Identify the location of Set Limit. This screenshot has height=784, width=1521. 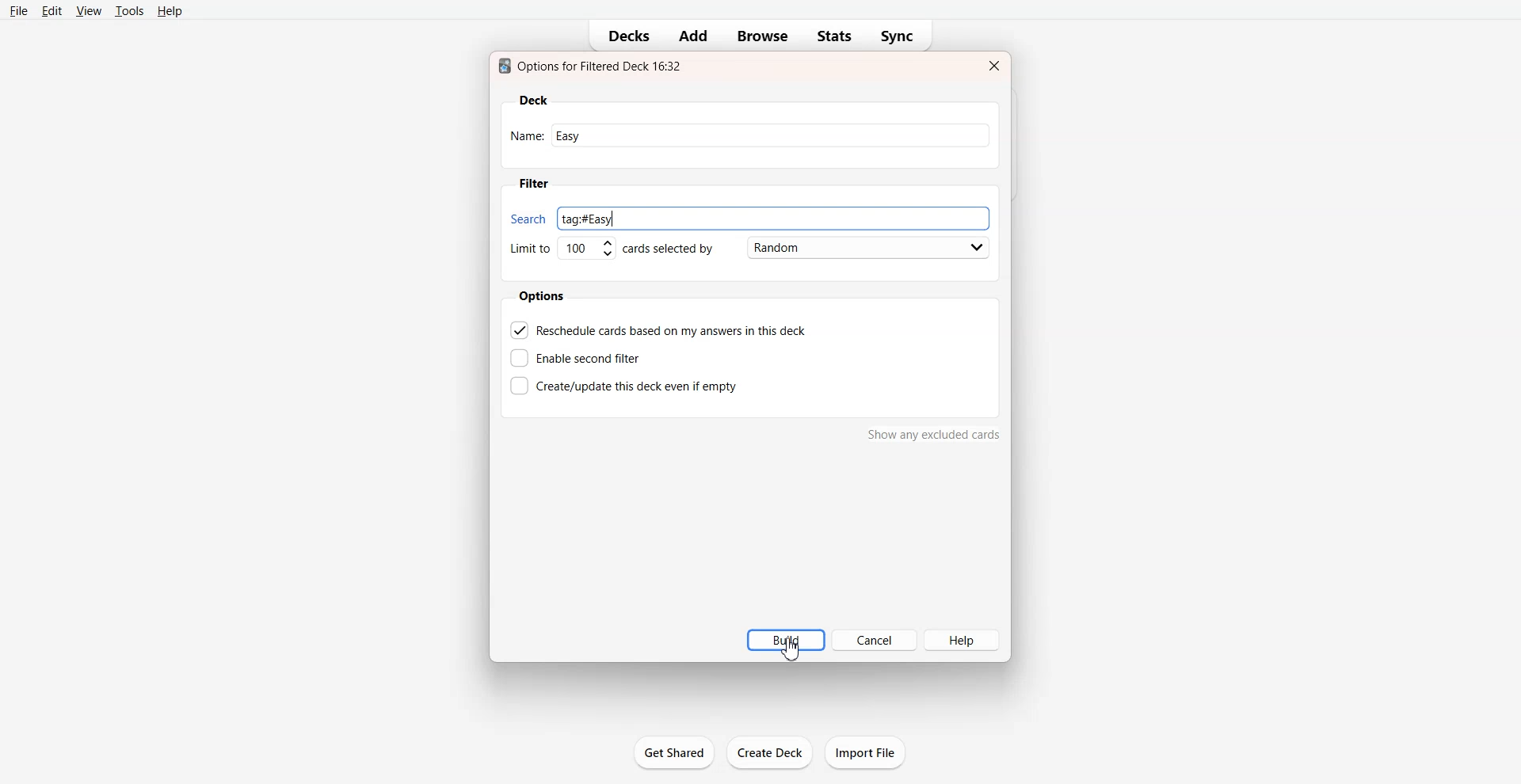
(561, 249).